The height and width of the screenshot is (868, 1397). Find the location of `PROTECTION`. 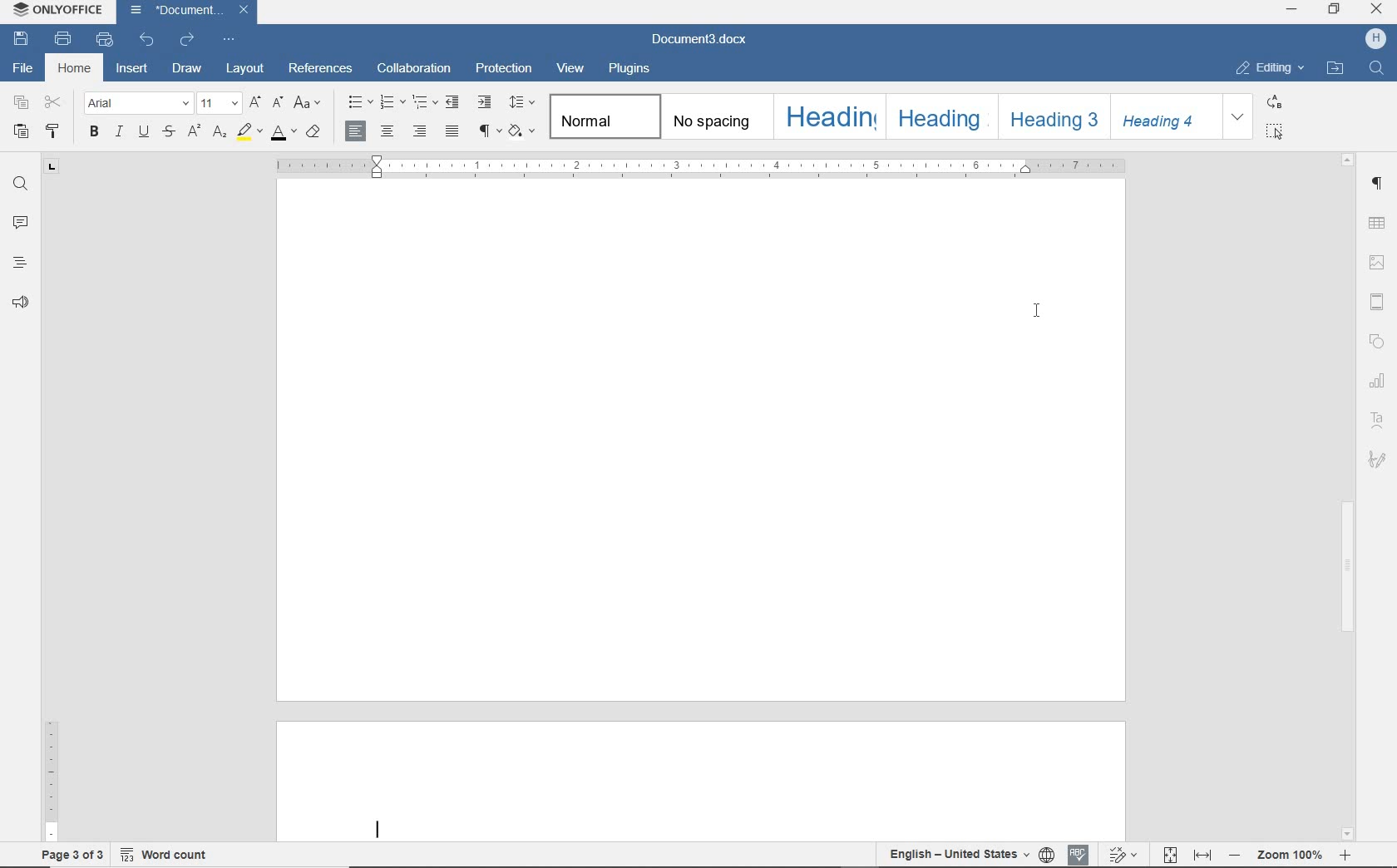

PROTECTION is located at coordinates (504, 69).